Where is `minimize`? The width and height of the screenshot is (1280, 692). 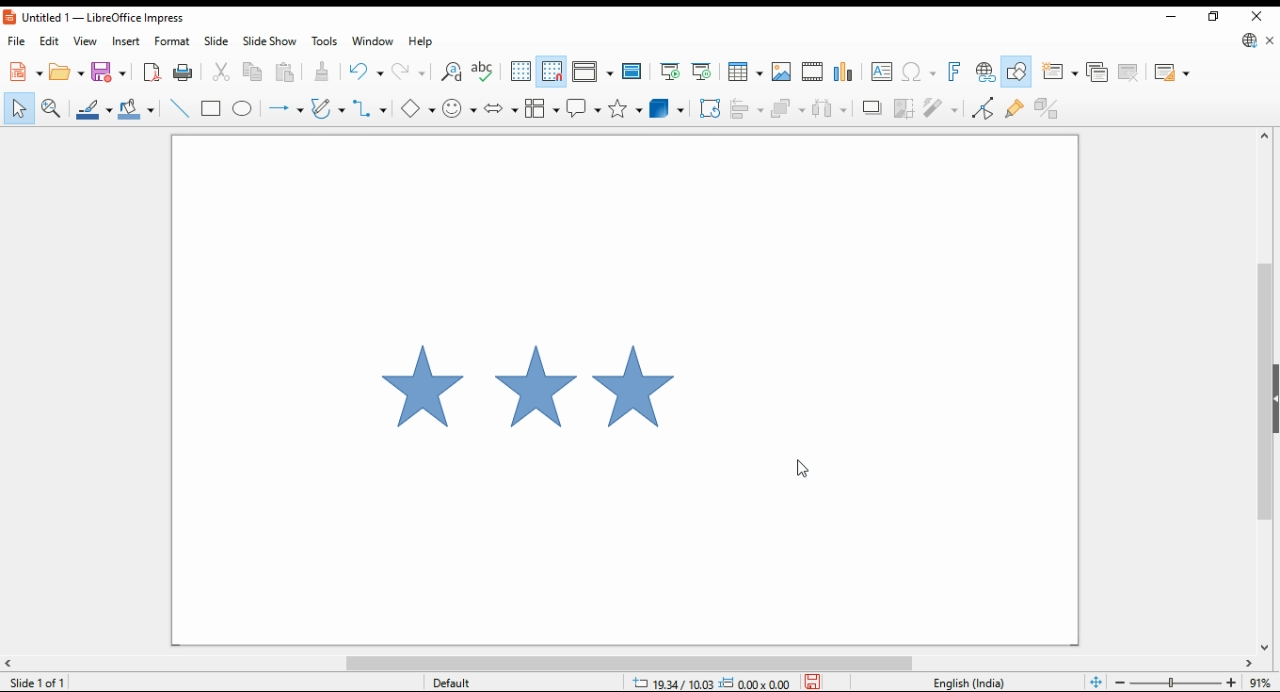
minimize is located at coordinates (1176, 17).